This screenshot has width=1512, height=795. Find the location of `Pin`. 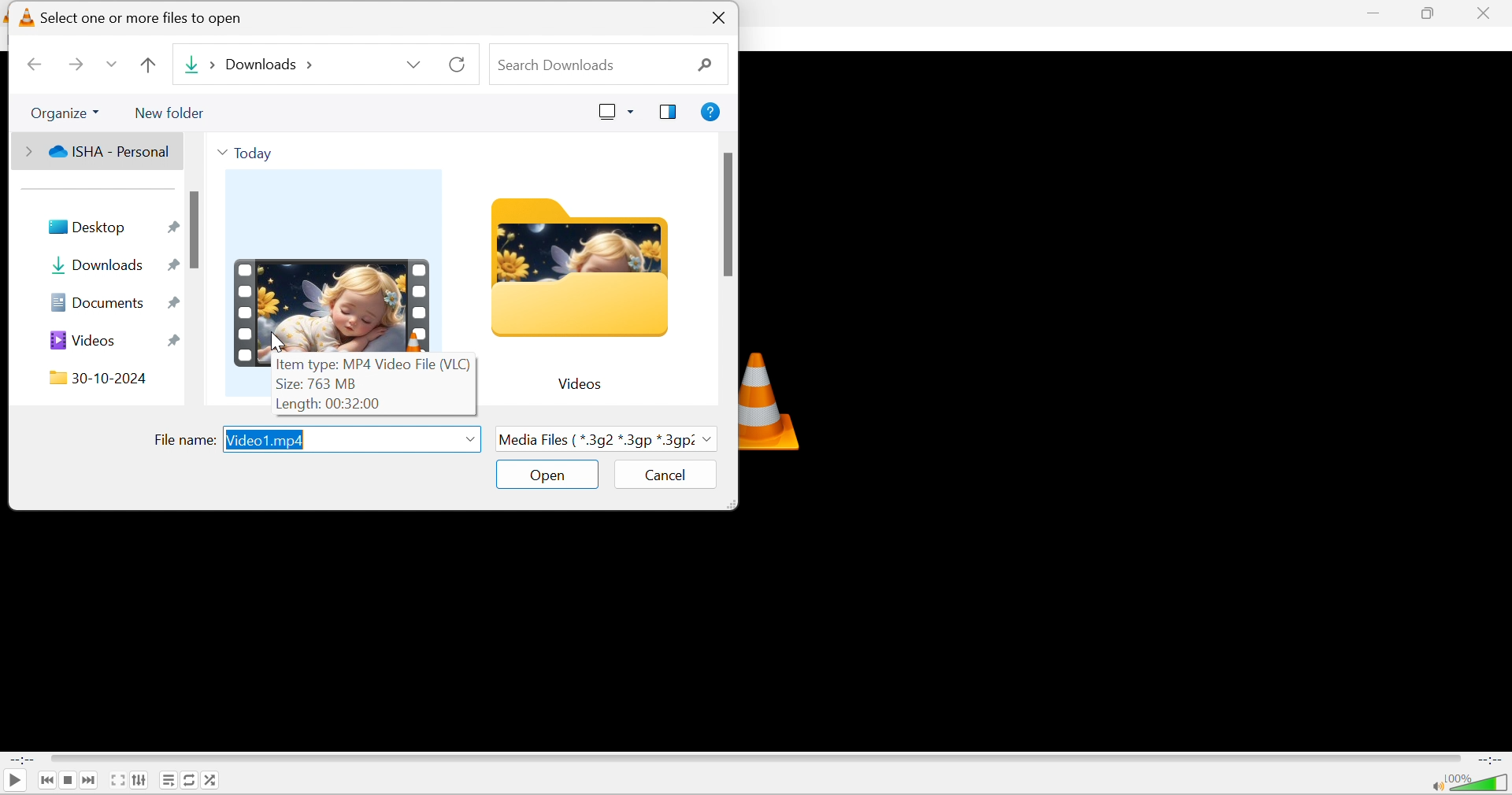

Pin is located at coordinates (169, 227).